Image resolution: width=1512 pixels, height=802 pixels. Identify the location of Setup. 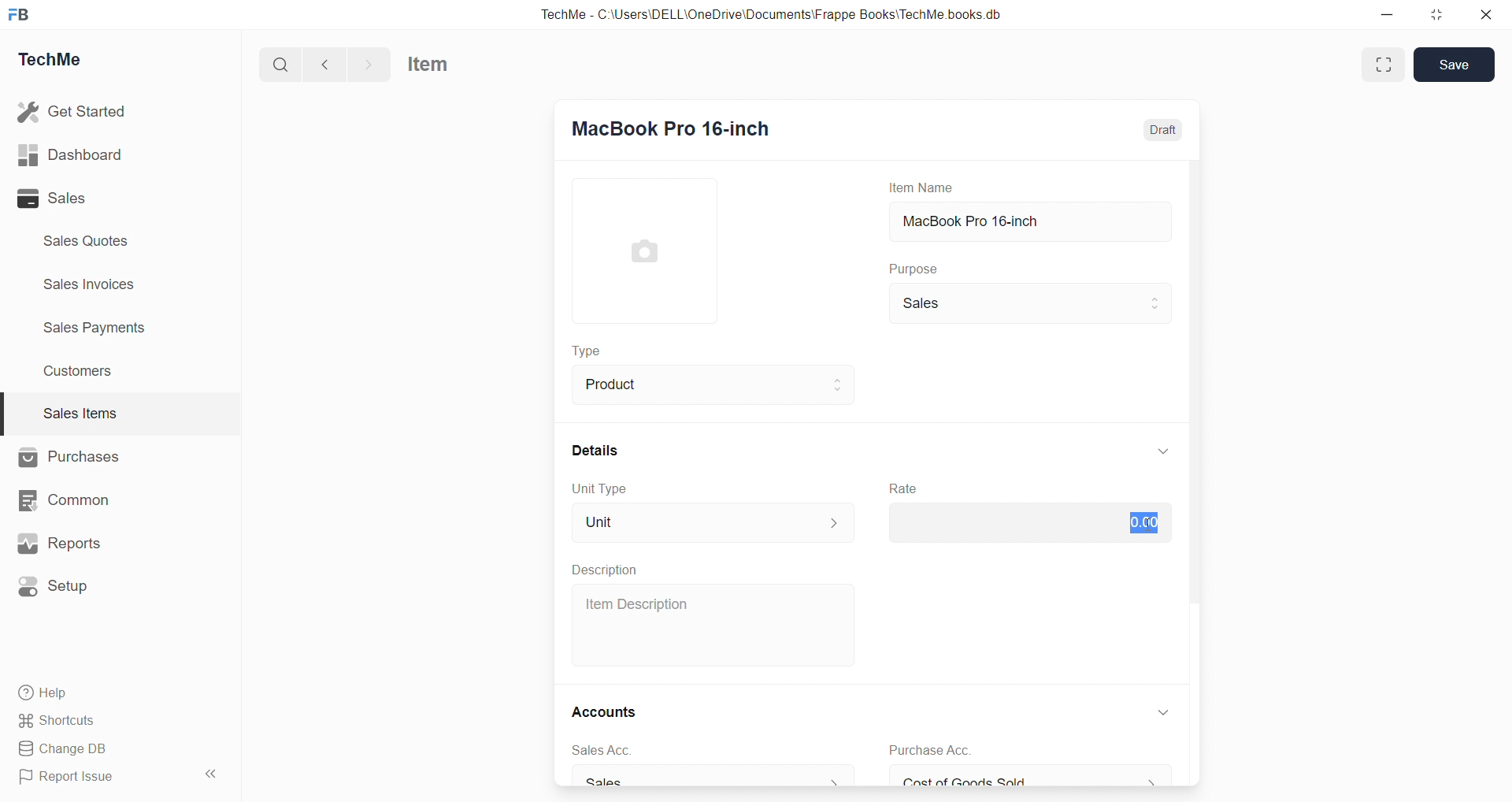
(59, 585).